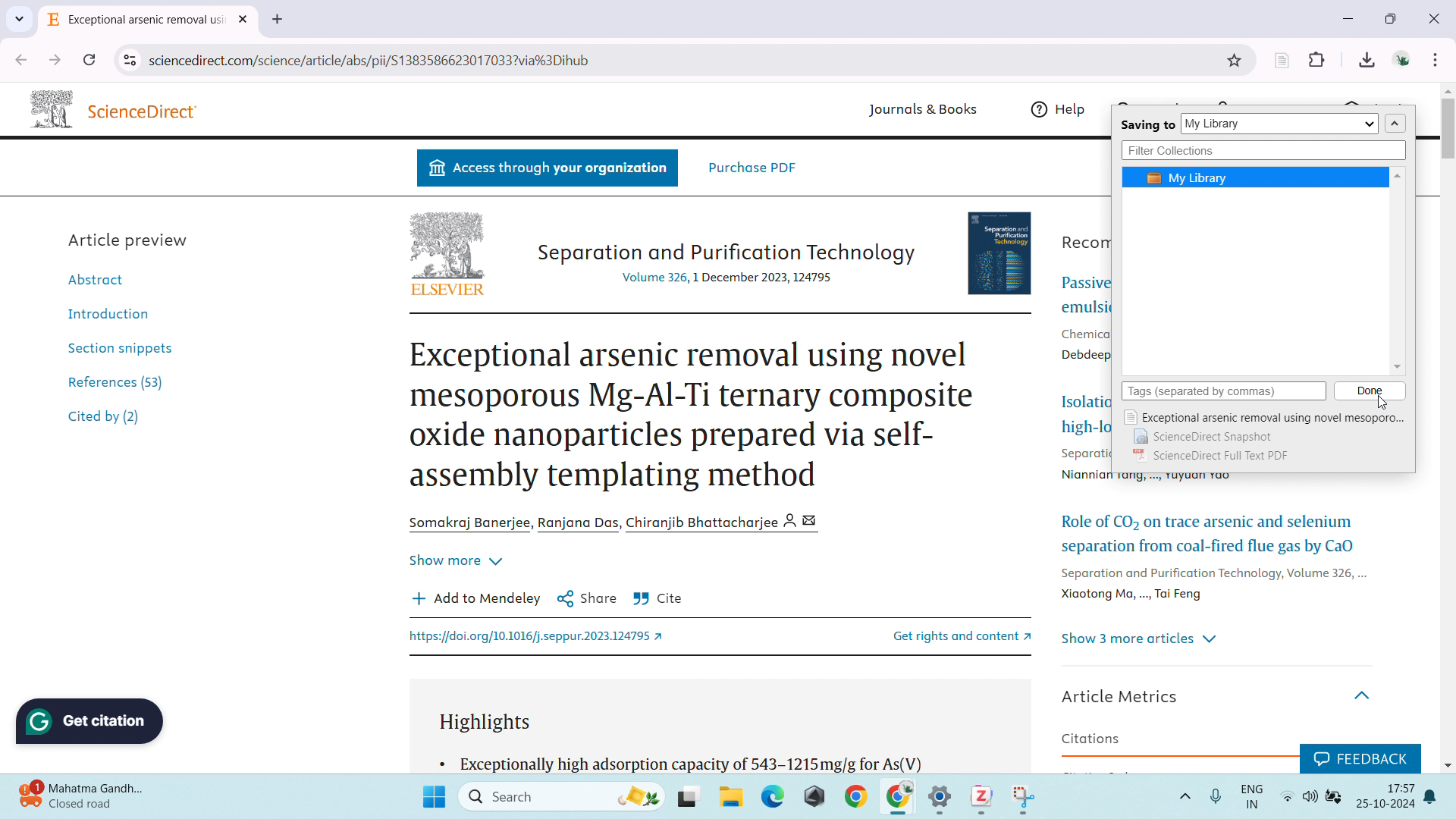  I want to click on minimize, so click(1347, 18).